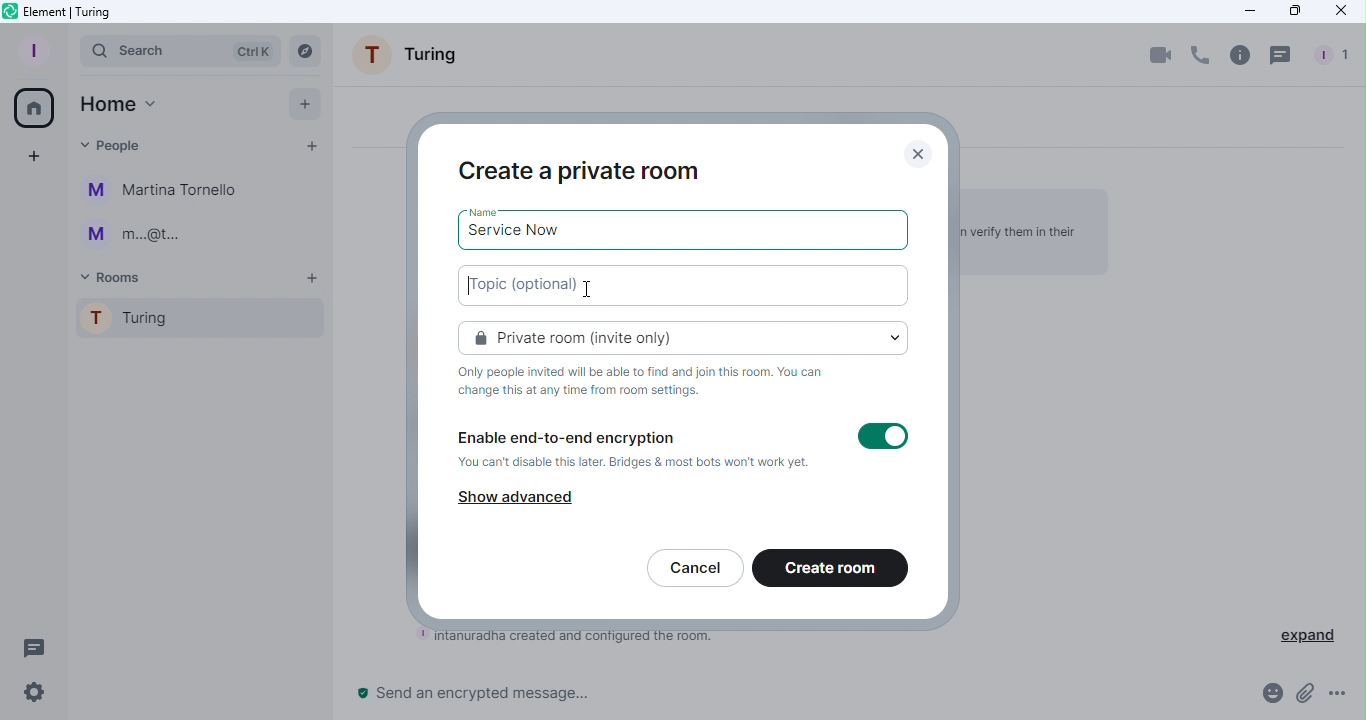  Describe the element at coordinates (688, 336) in the screenshot. I see `Private room` at that location.